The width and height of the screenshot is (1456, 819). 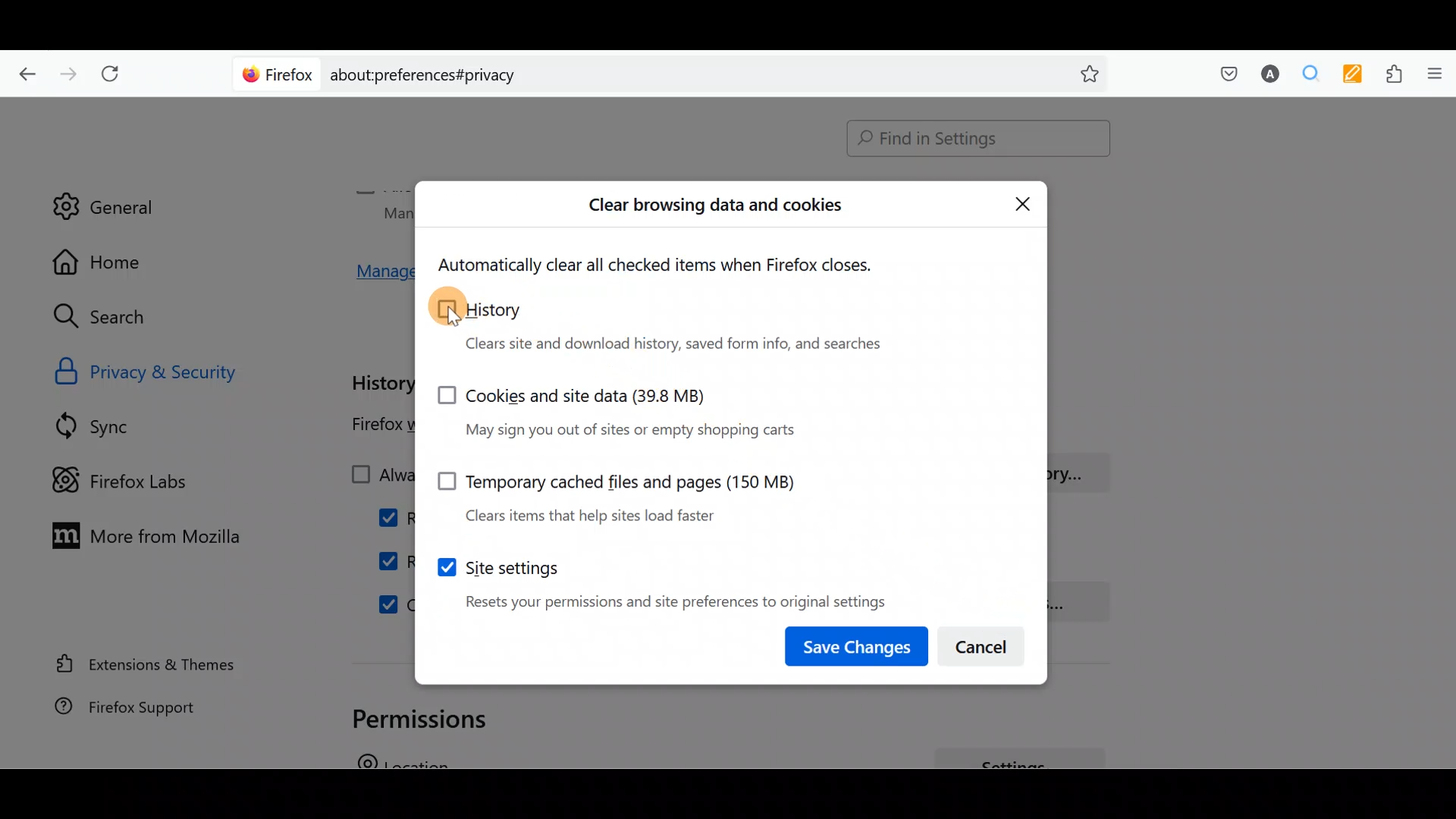 What do you see at coordinates (607, 492) in the screenshot?
I see `Temporary cached files and pages` at bounding box center [607, 492].